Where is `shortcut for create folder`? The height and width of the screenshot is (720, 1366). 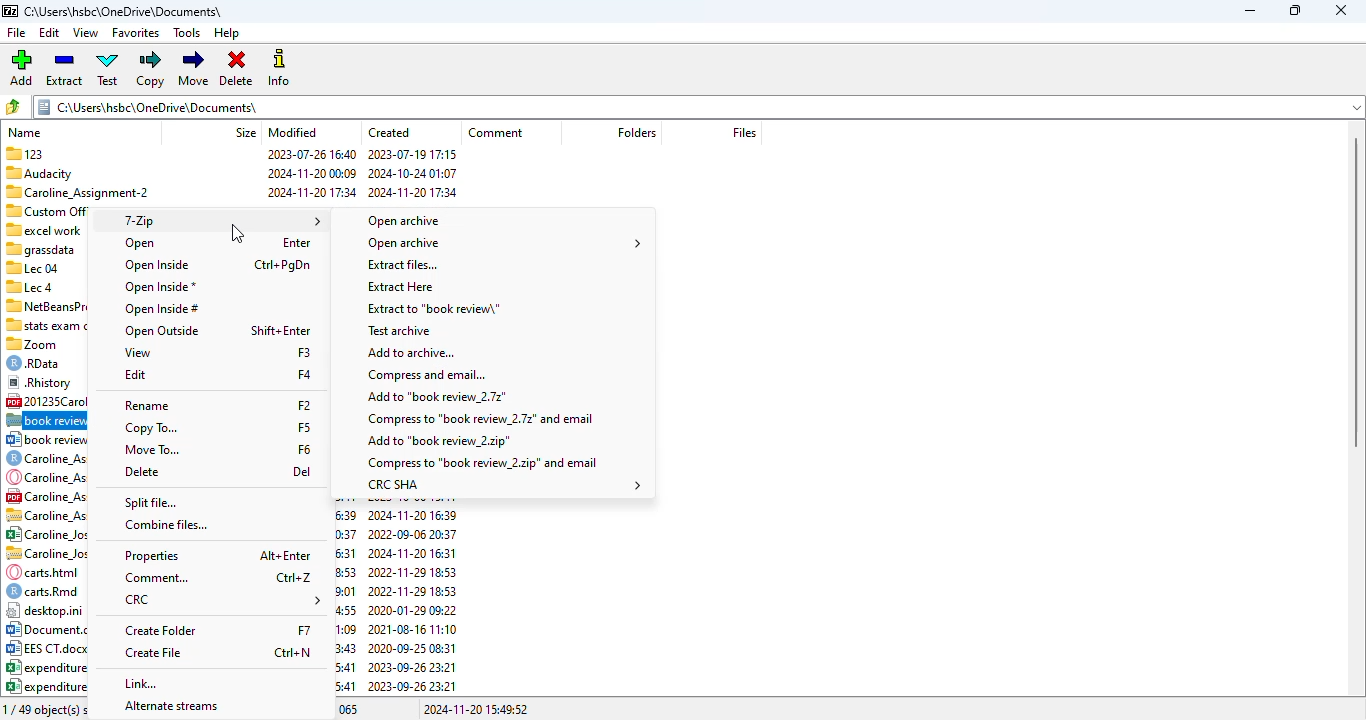 shortcut for create folder is located at coordinates (303, 629).